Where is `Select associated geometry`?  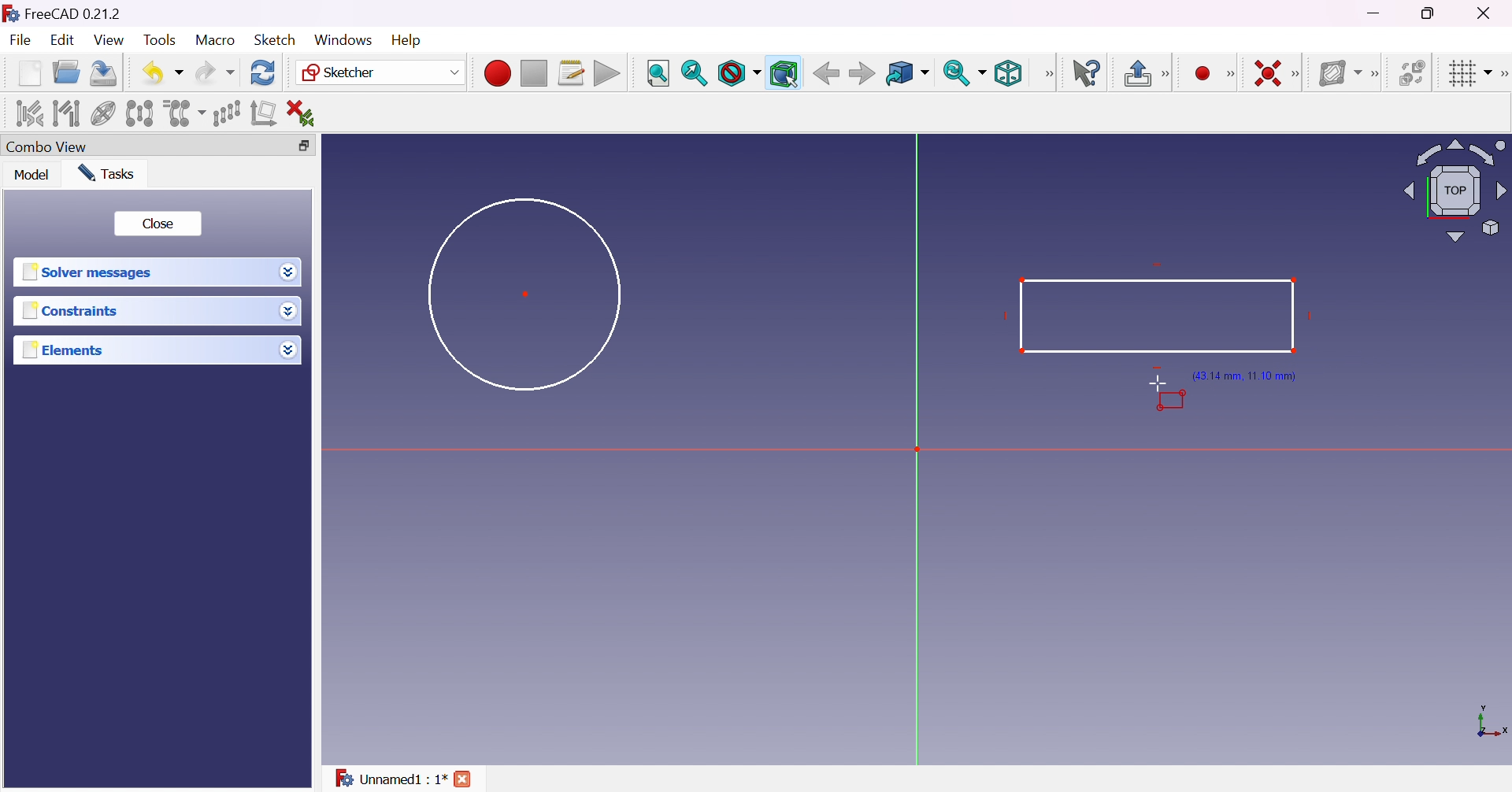
Select associated geometry is located at coordinates (67, 112).